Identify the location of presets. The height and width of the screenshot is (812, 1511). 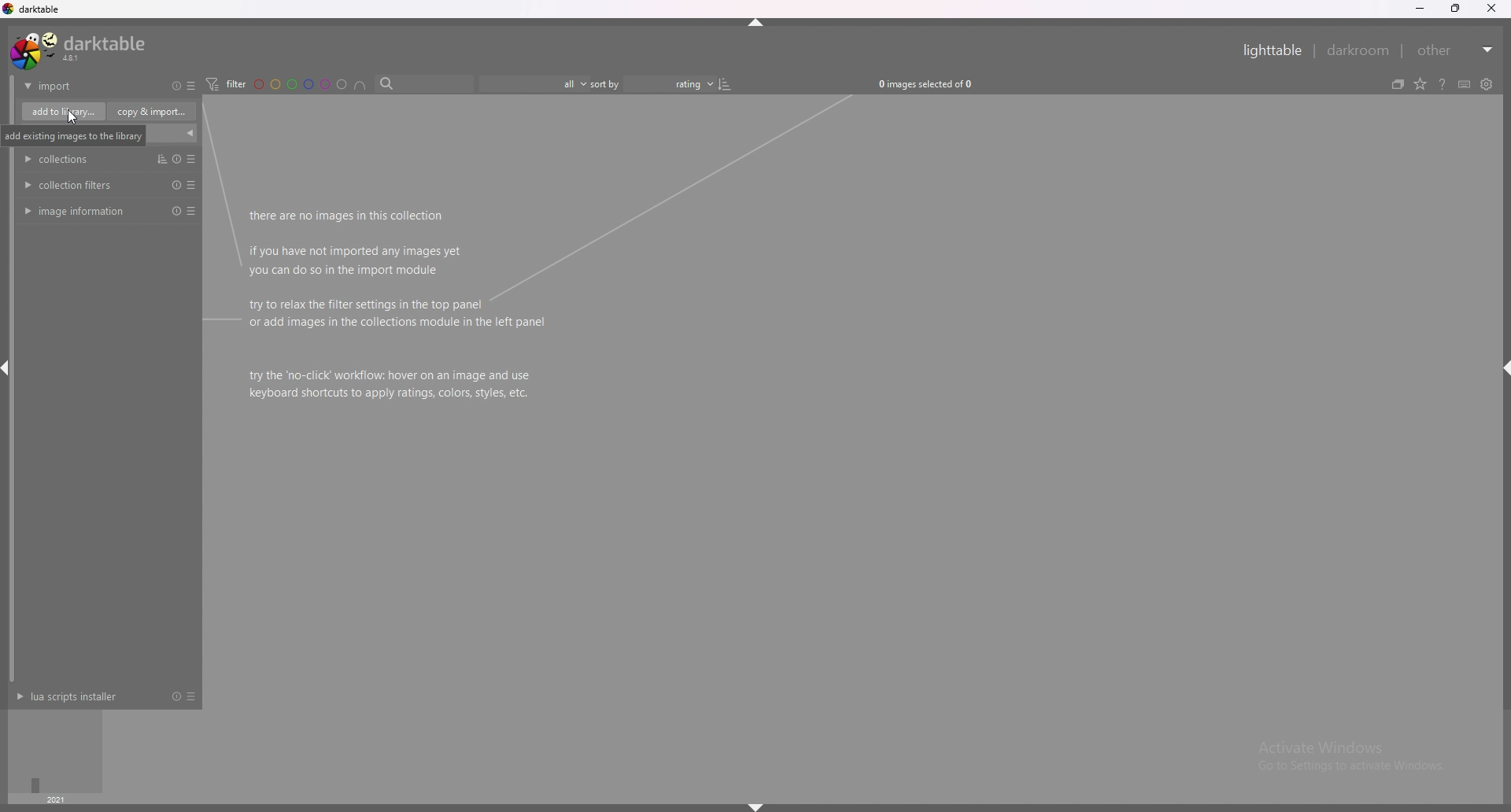
(194, 212).